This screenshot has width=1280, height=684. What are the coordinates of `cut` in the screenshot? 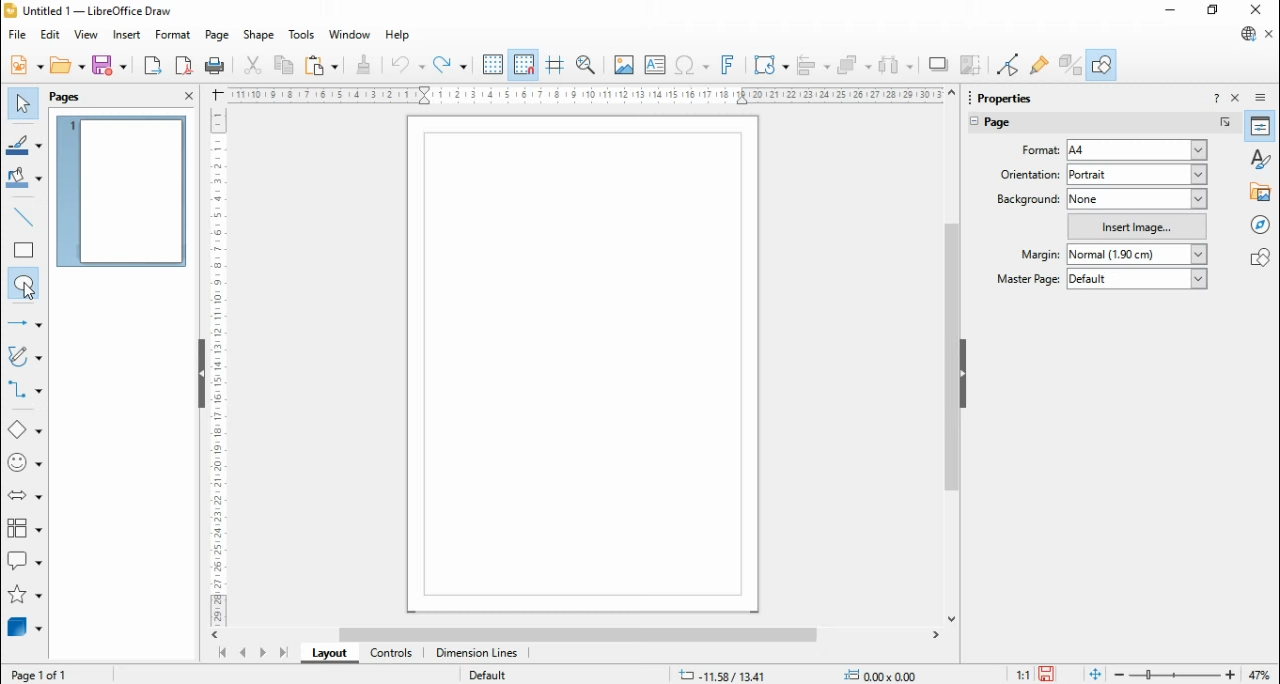 It's located at (252, 64).